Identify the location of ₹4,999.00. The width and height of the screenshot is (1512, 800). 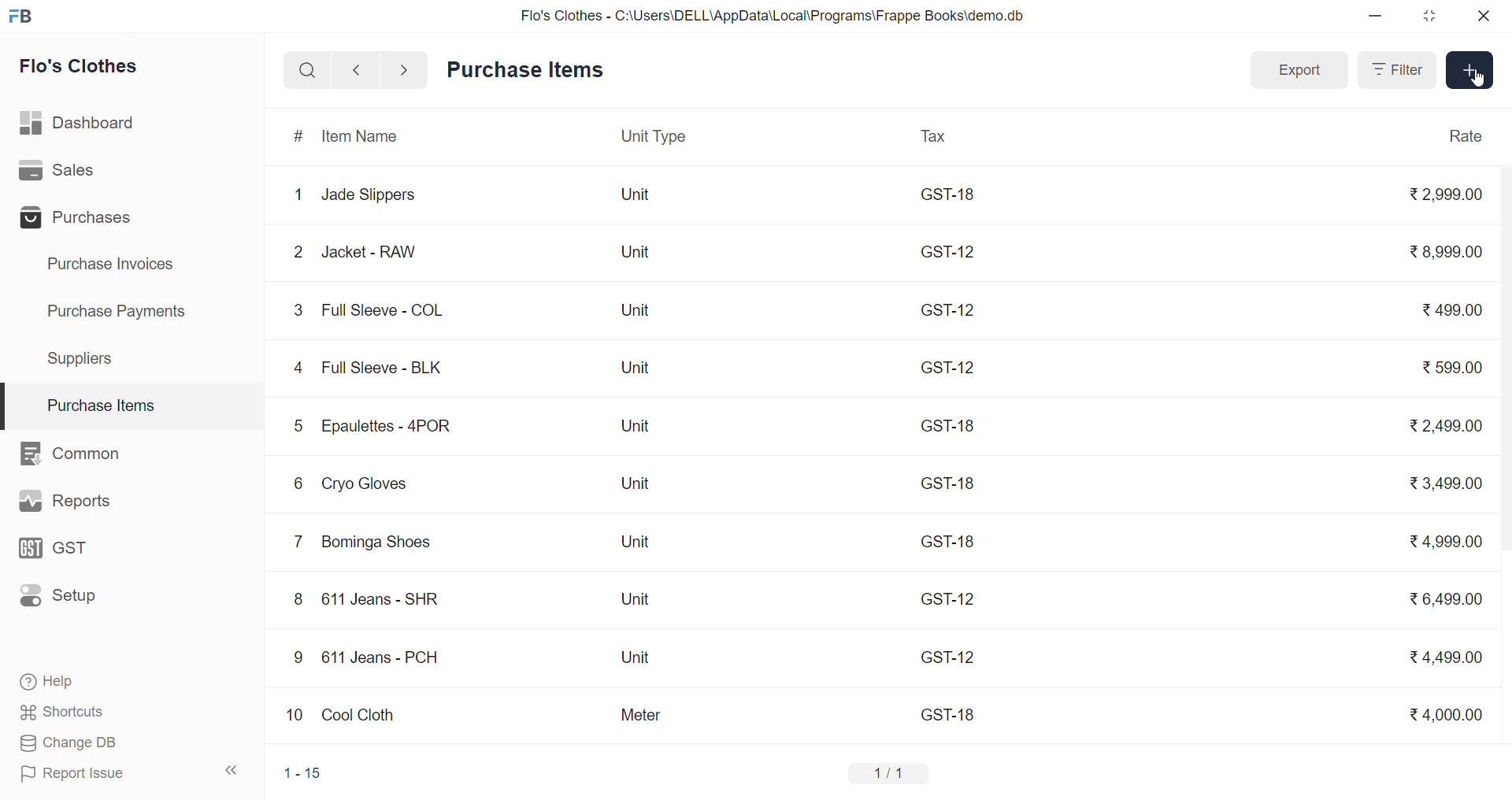
(1438, 541).